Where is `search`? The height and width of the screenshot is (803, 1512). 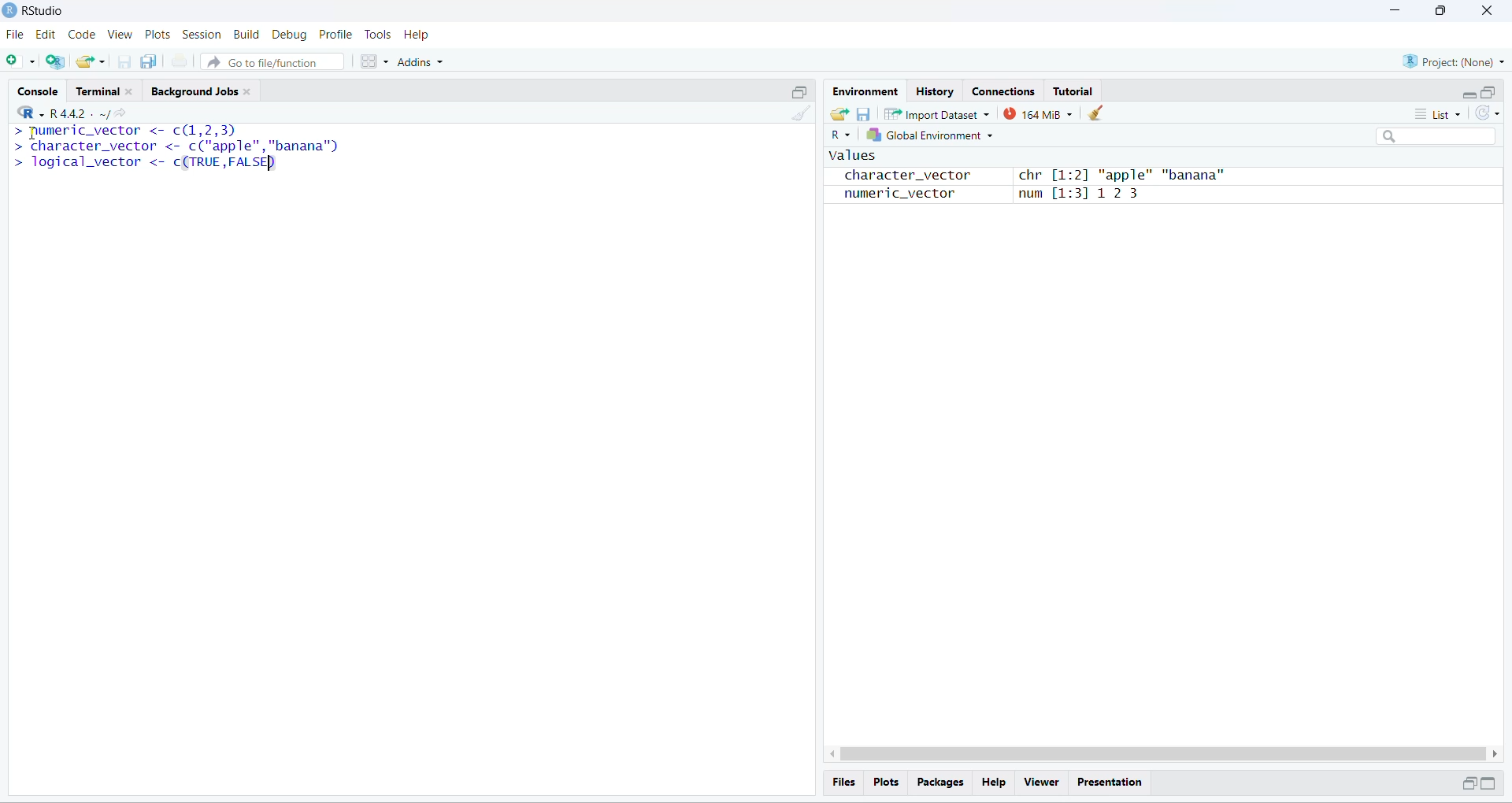 search is located at coordinates (1438, 137).